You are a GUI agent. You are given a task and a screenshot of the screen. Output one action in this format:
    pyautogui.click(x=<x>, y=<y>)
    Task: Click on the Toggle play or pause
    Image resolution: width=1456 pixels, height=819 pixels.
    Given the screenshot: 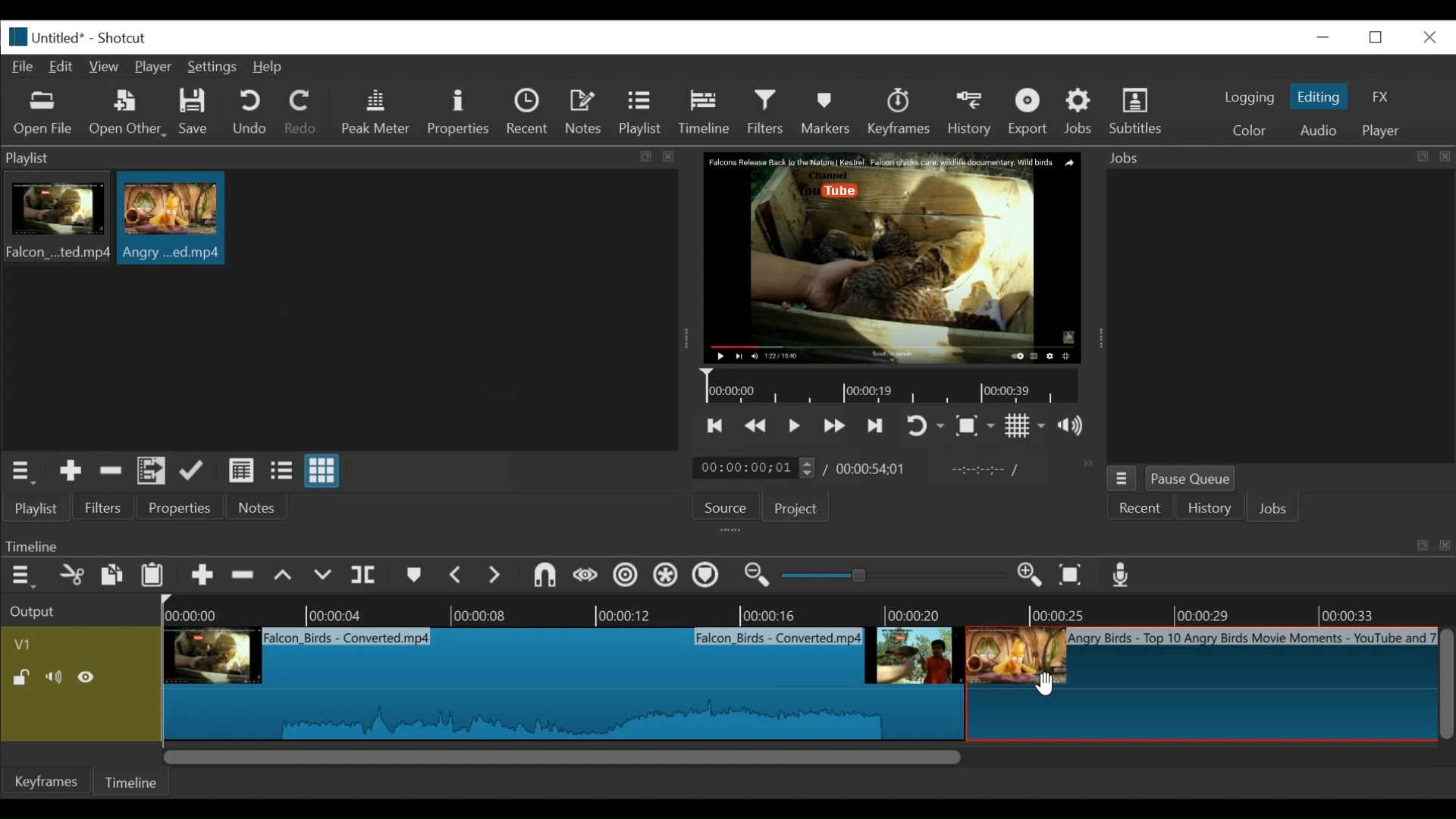 What is the action you would take?
    pyautogui.click(x=795, y=425)
    